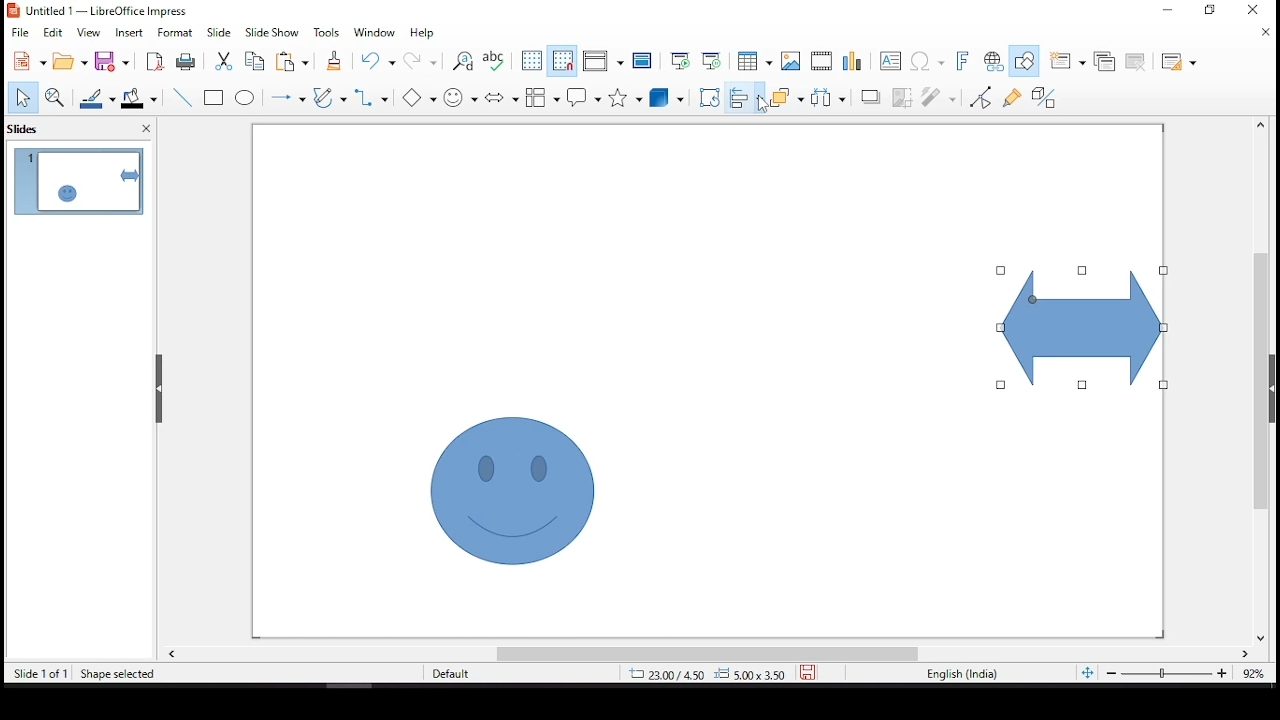  Describe the element at coordinates (216, 99) in the screenshot. I see `rectangle` at that location.